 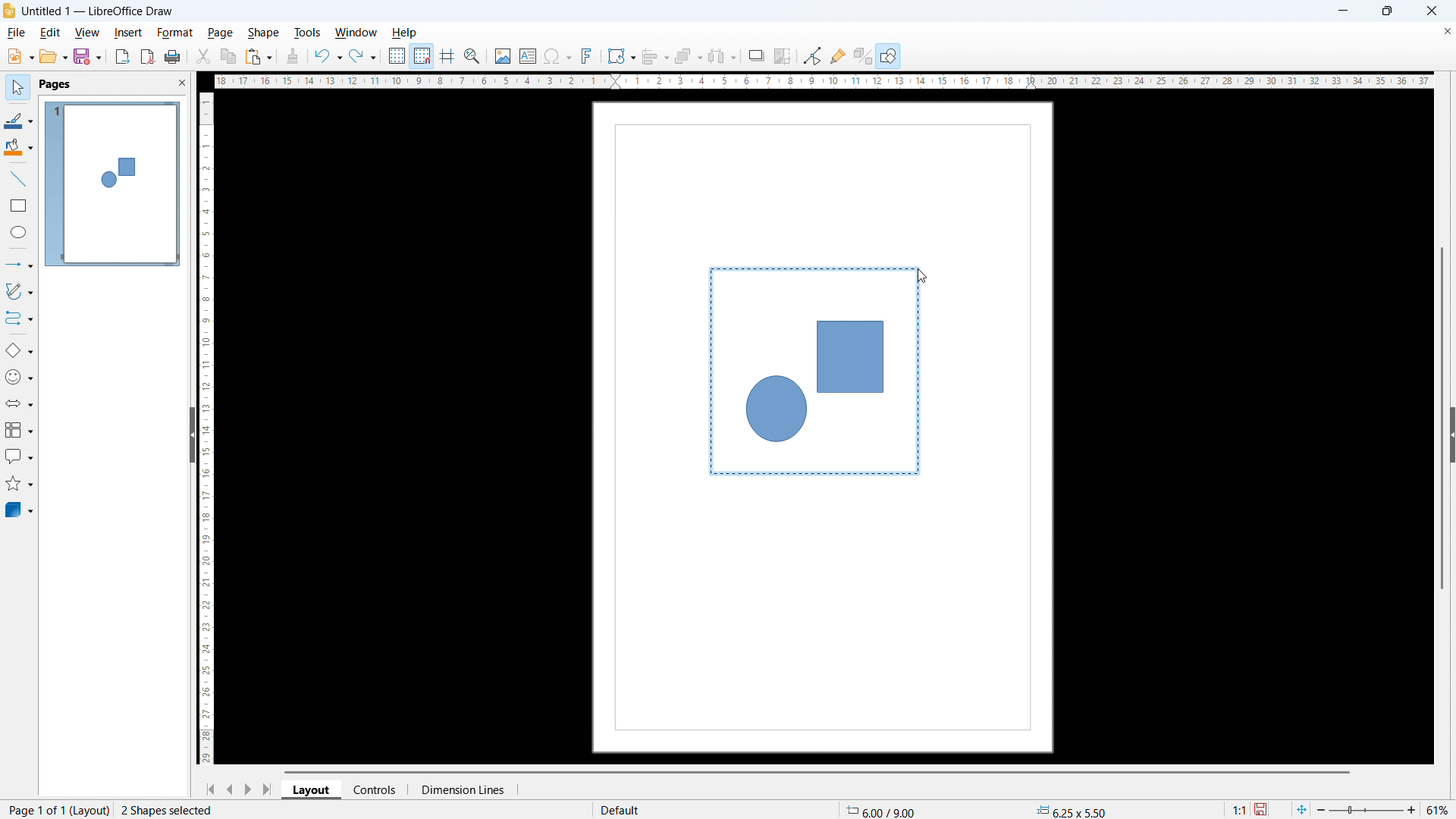 I want to click on fit to page, so click(x=1301, y=809).